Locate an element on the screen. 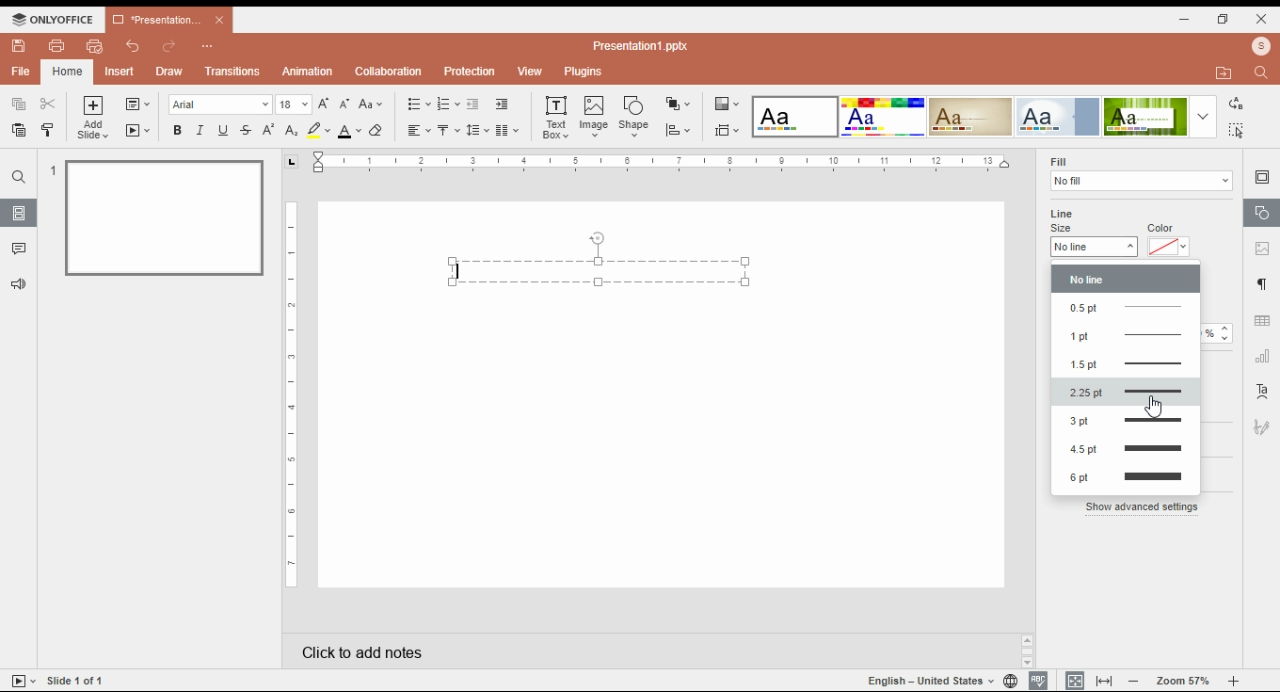 The width and height of the screenshot is (1280, 692). slide settings is located at coordinates (1263, 178).